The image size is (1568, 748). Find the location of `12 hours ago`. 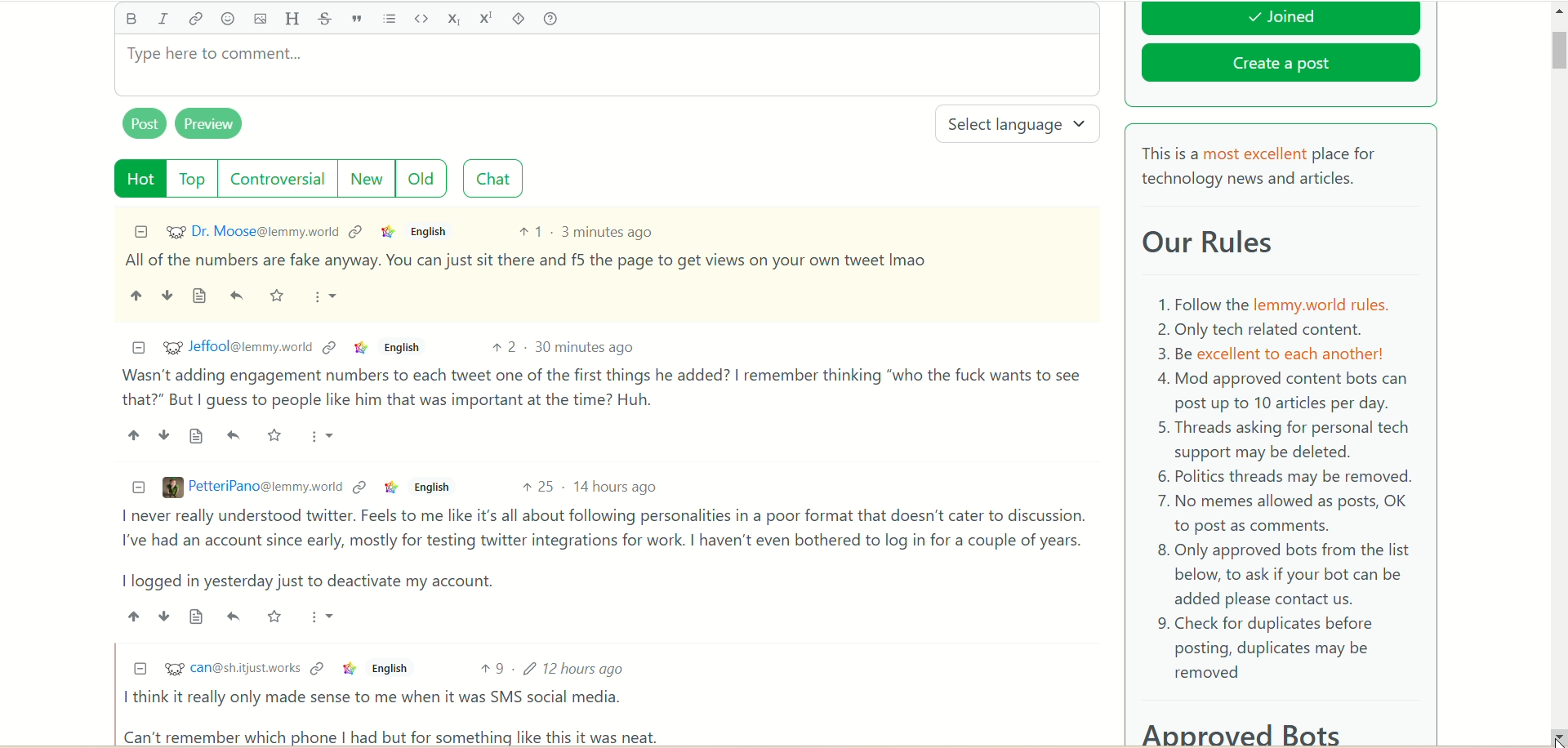

12 hours ago is located at coordinates (578, 667).